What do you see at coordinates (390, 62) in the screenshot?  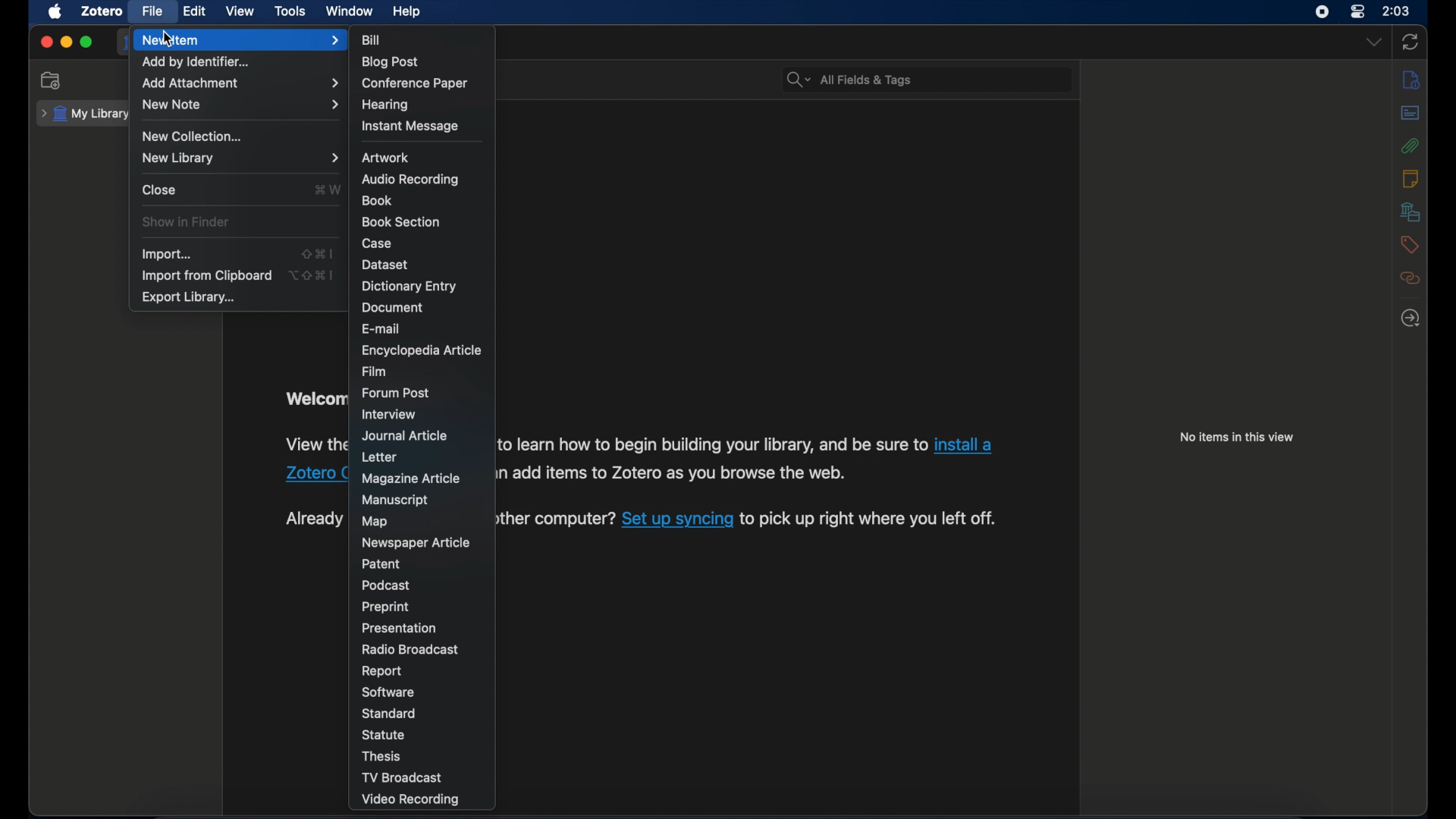 I see `blog post` at bounding box center [390, 62].